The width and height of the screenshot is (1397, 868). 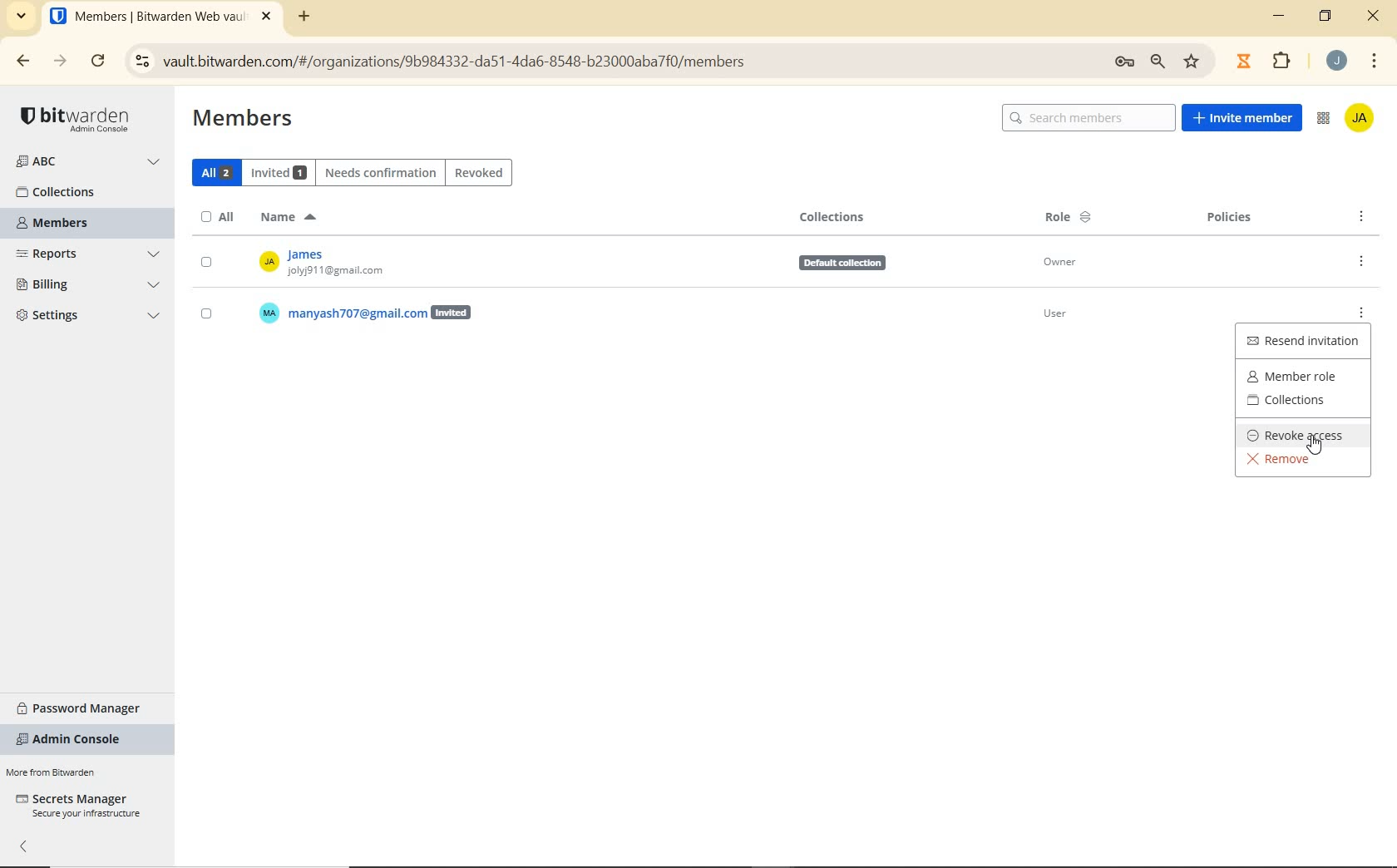 I want to click on LOGO, so click(x=79, y=118).